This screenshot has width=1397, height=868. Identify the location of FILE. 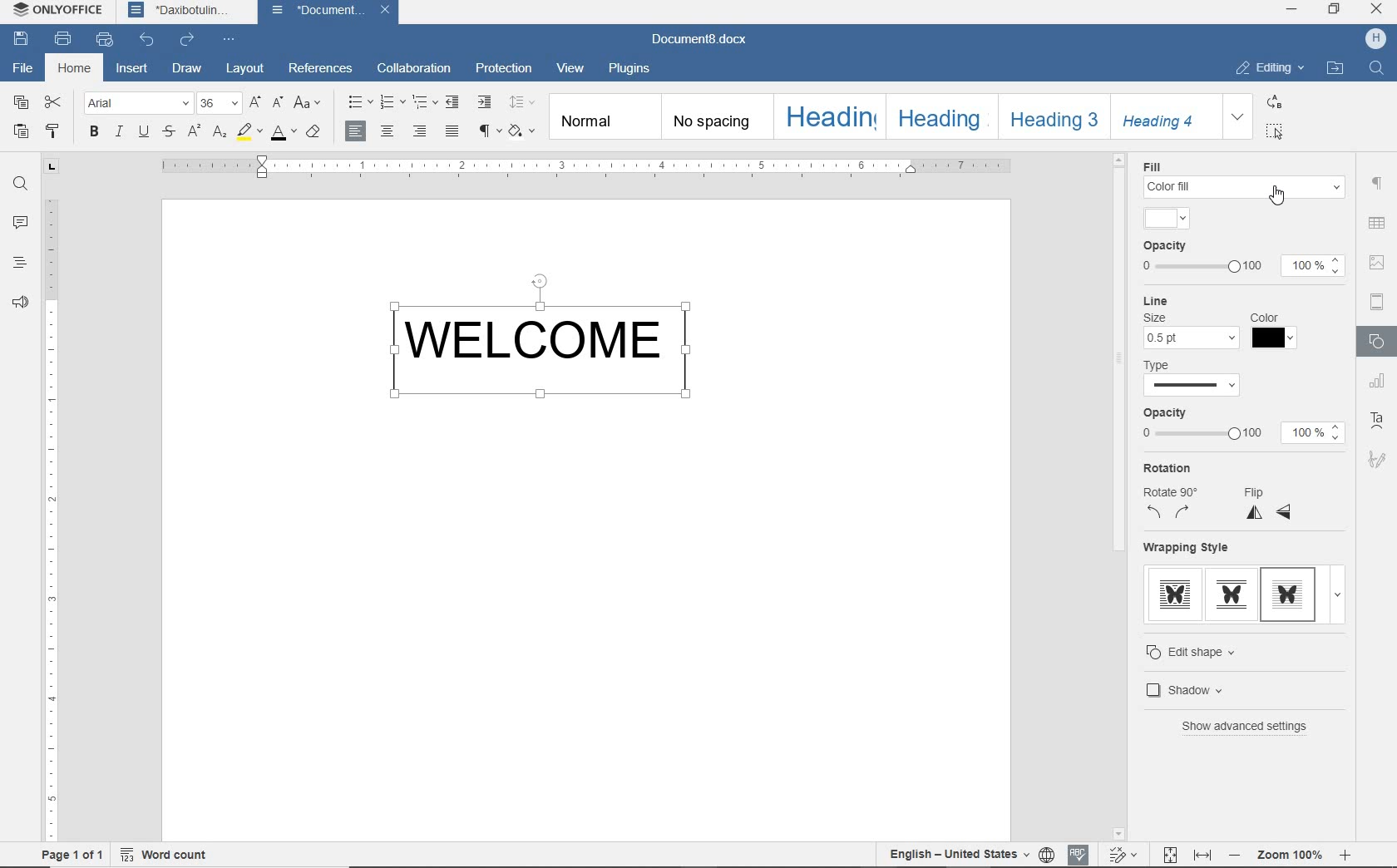
(23, 68).